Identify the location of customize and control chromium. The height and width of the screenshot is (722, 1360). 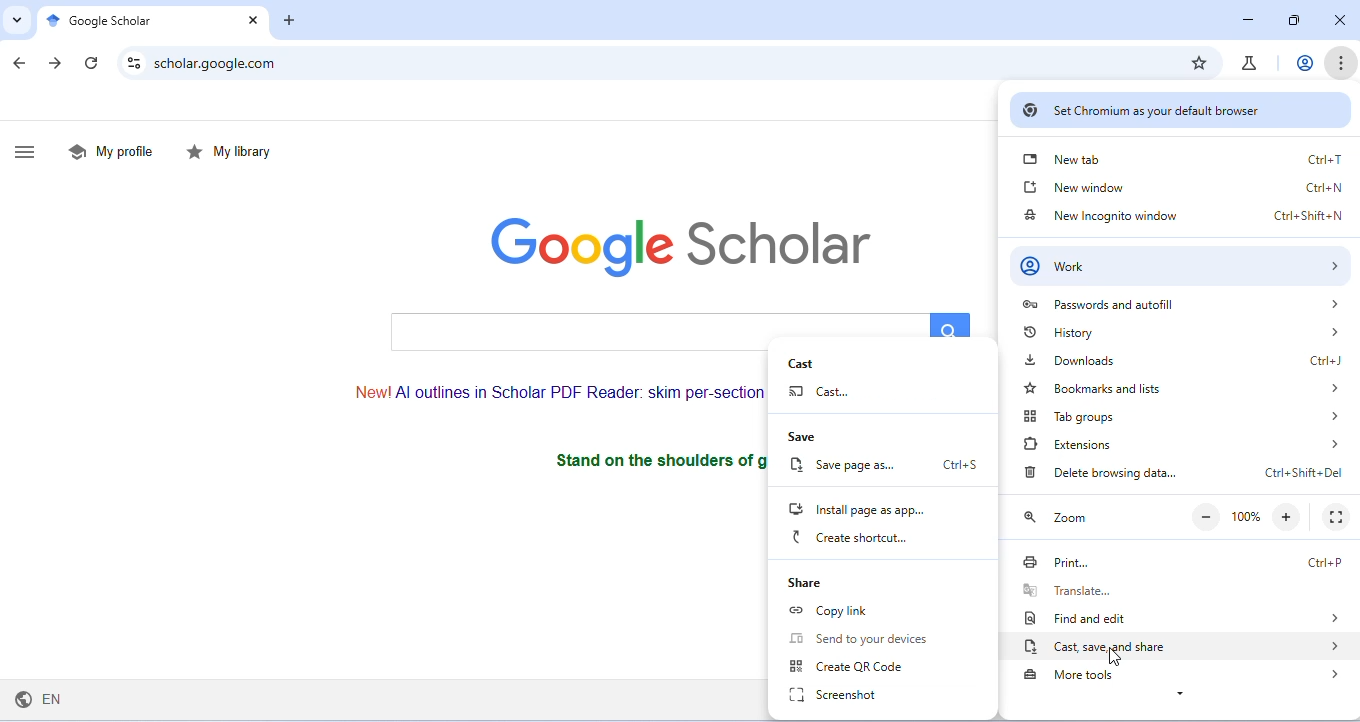
(1341, 64).